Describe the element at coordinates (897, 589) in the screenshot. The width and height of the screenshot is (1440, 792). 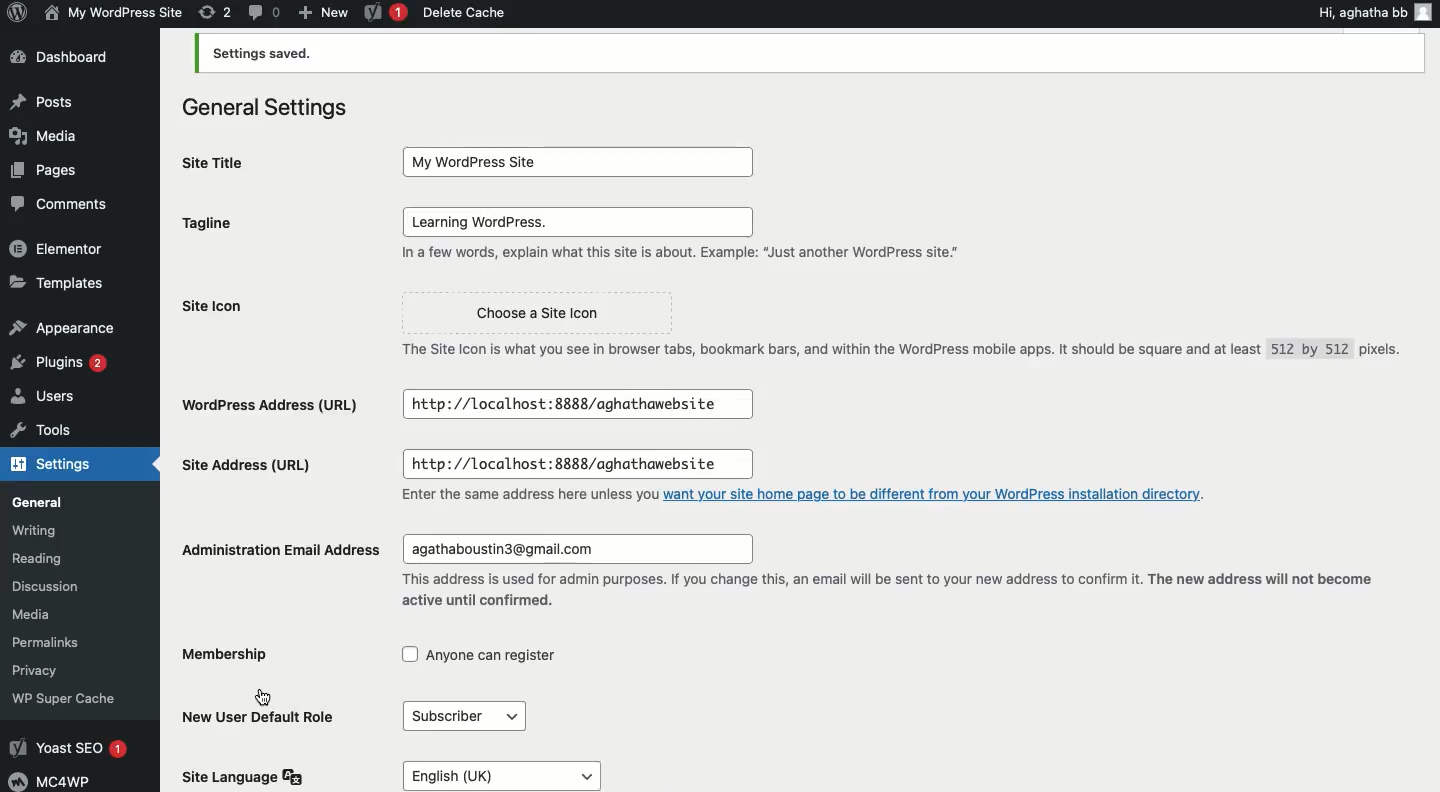
I see `“This address is used for admin purposes. If you change this, an email wil be sent to your new address to confirm it. The new address will not become
active until confirmed.` at that location.